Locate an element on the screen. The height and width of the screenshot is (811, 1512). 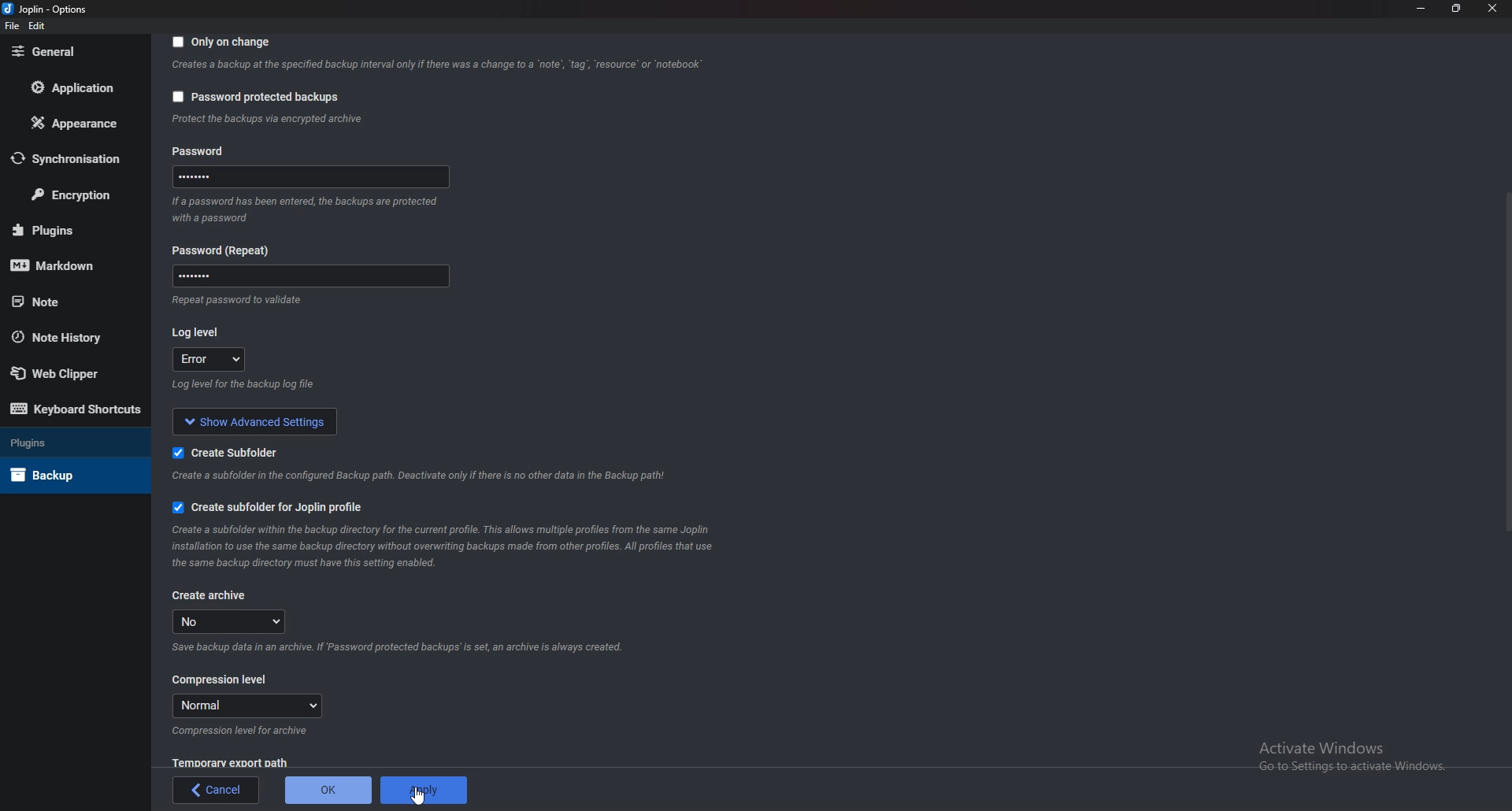
note is located at coordinates (69, 302).